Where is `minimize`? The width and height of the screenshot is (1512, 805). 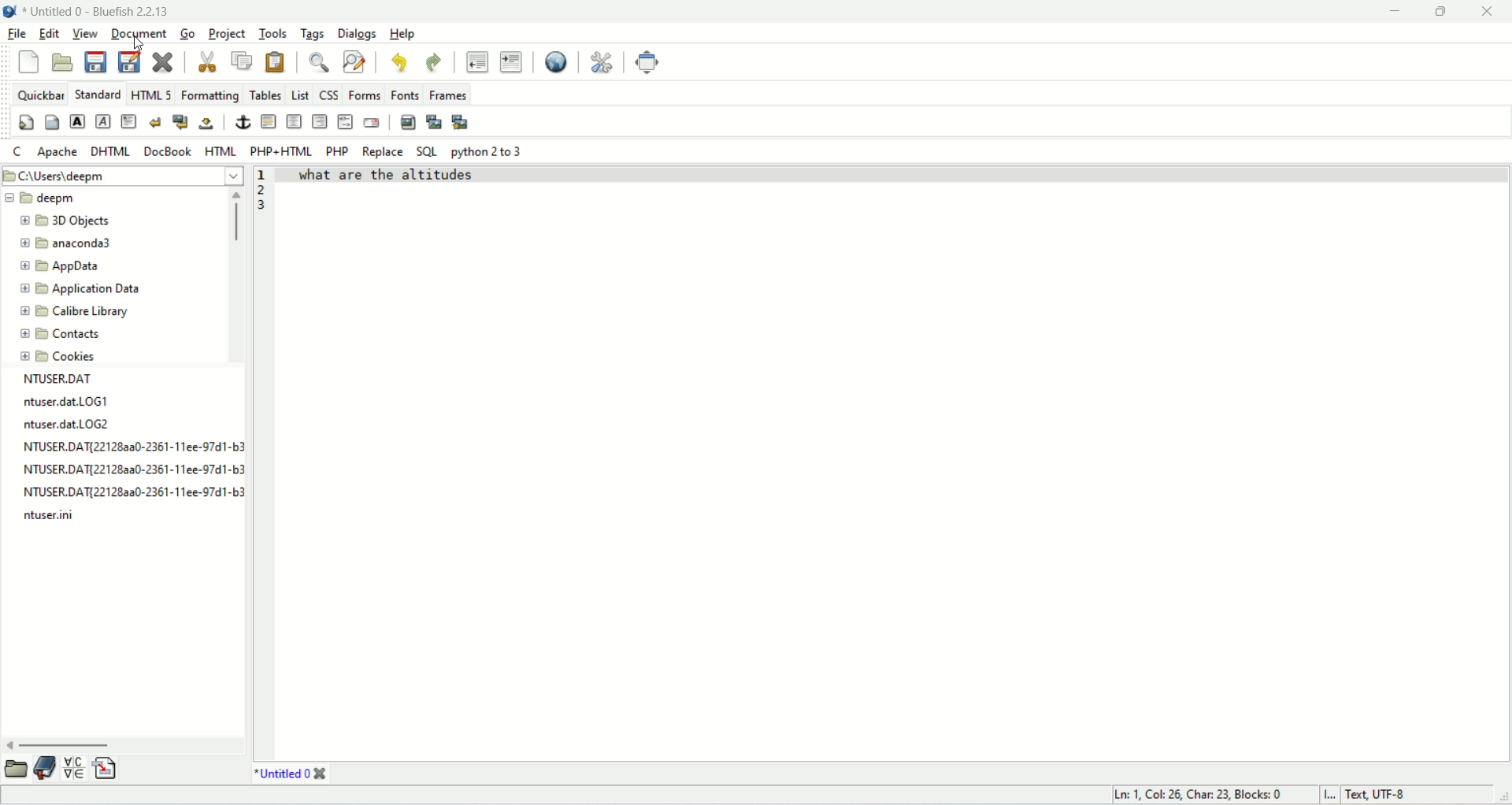
minimize is located at coordinates (1395, 13).